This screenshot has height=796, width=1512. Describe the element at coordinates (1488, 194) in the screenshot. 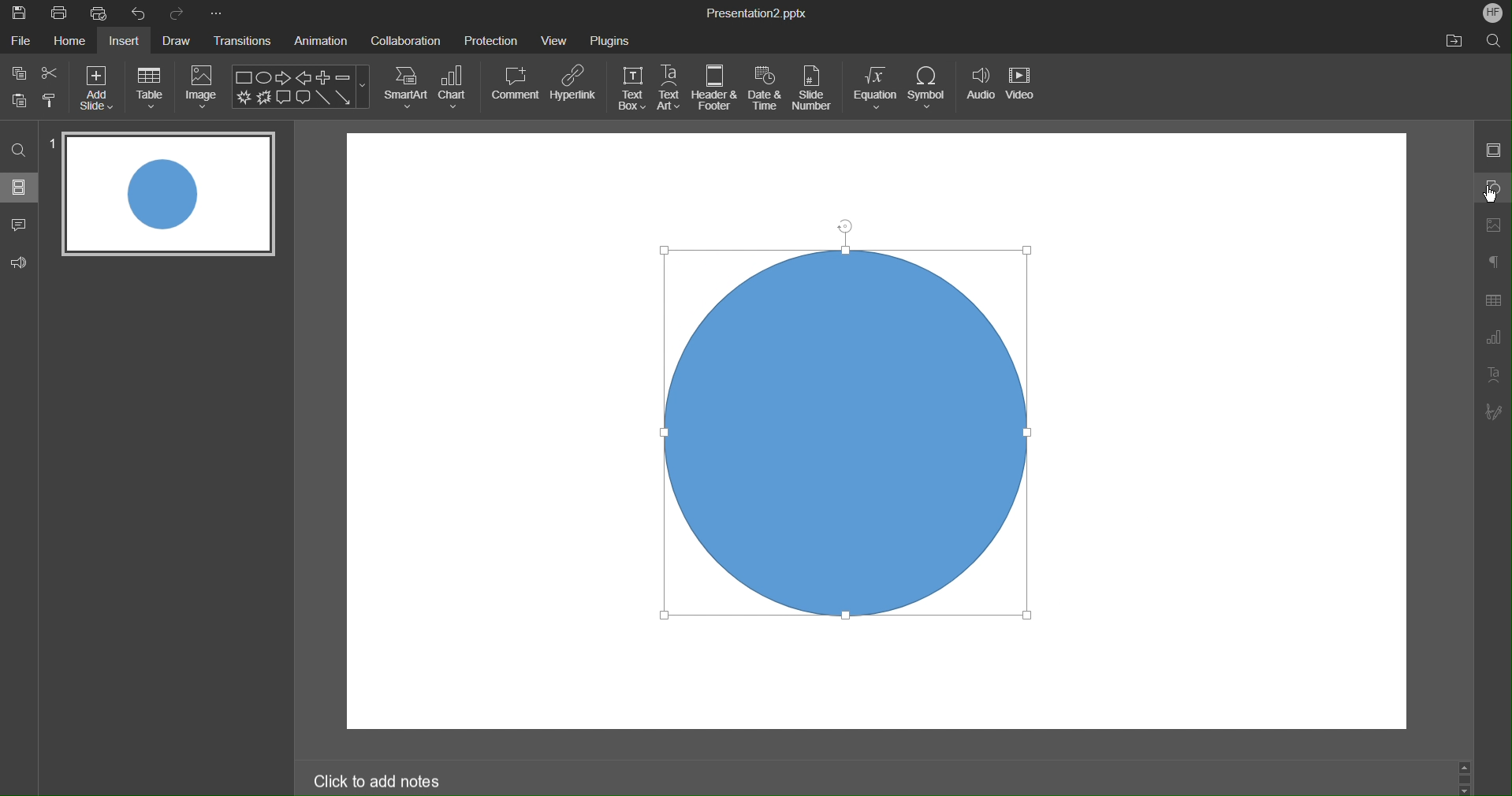

I see `Cursor` at that location.